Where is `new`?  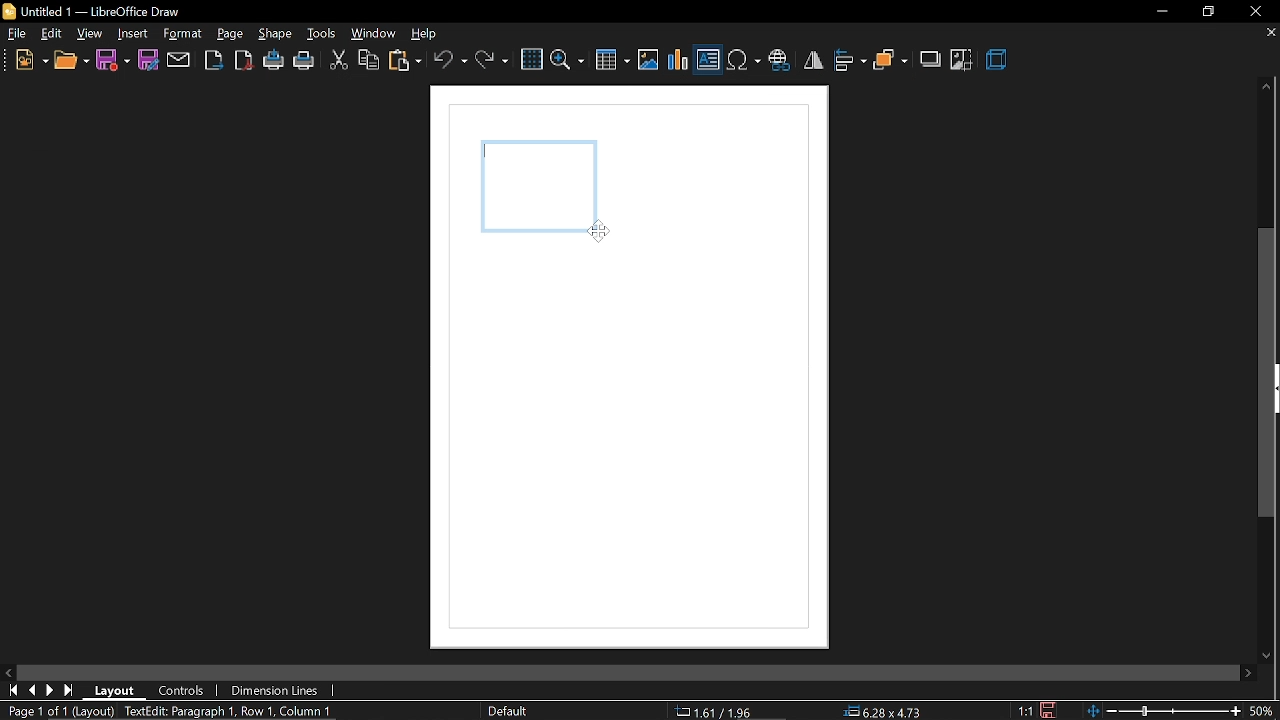 new is located at coordinates (31, 62).